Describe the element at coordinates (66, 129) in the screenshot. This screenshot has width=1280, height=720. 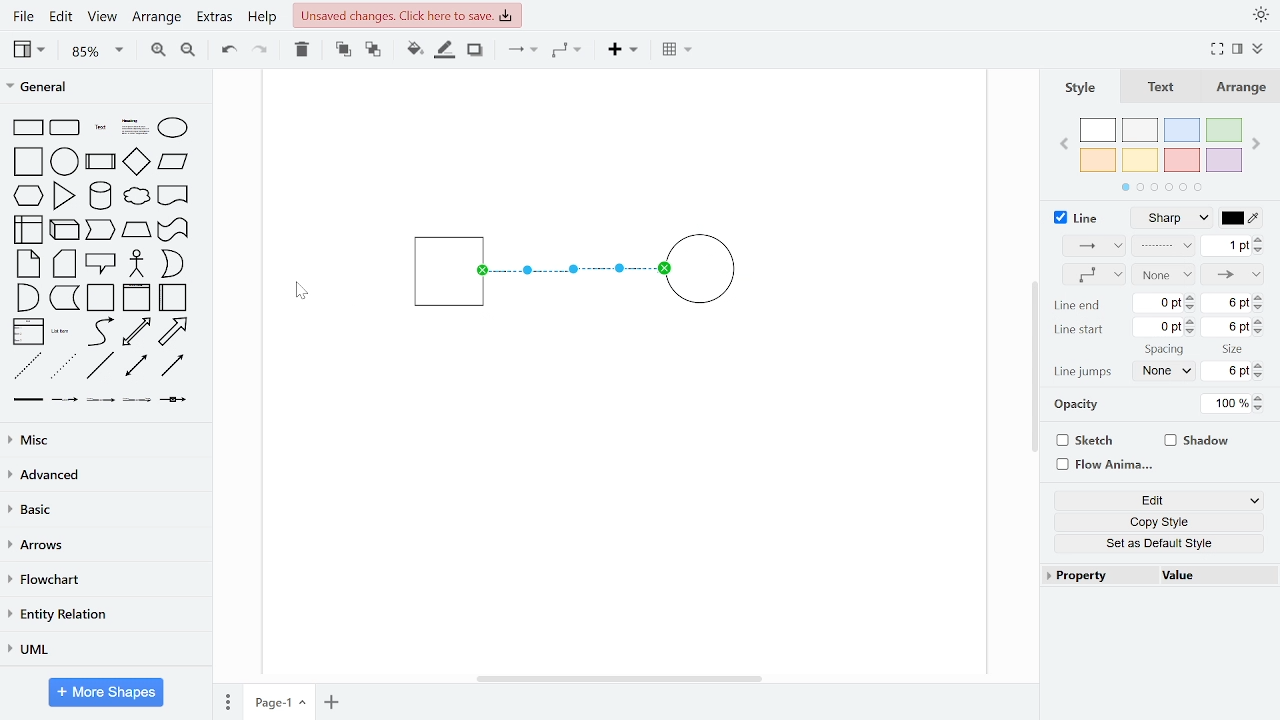
I see `rounded rectangle` at that location.